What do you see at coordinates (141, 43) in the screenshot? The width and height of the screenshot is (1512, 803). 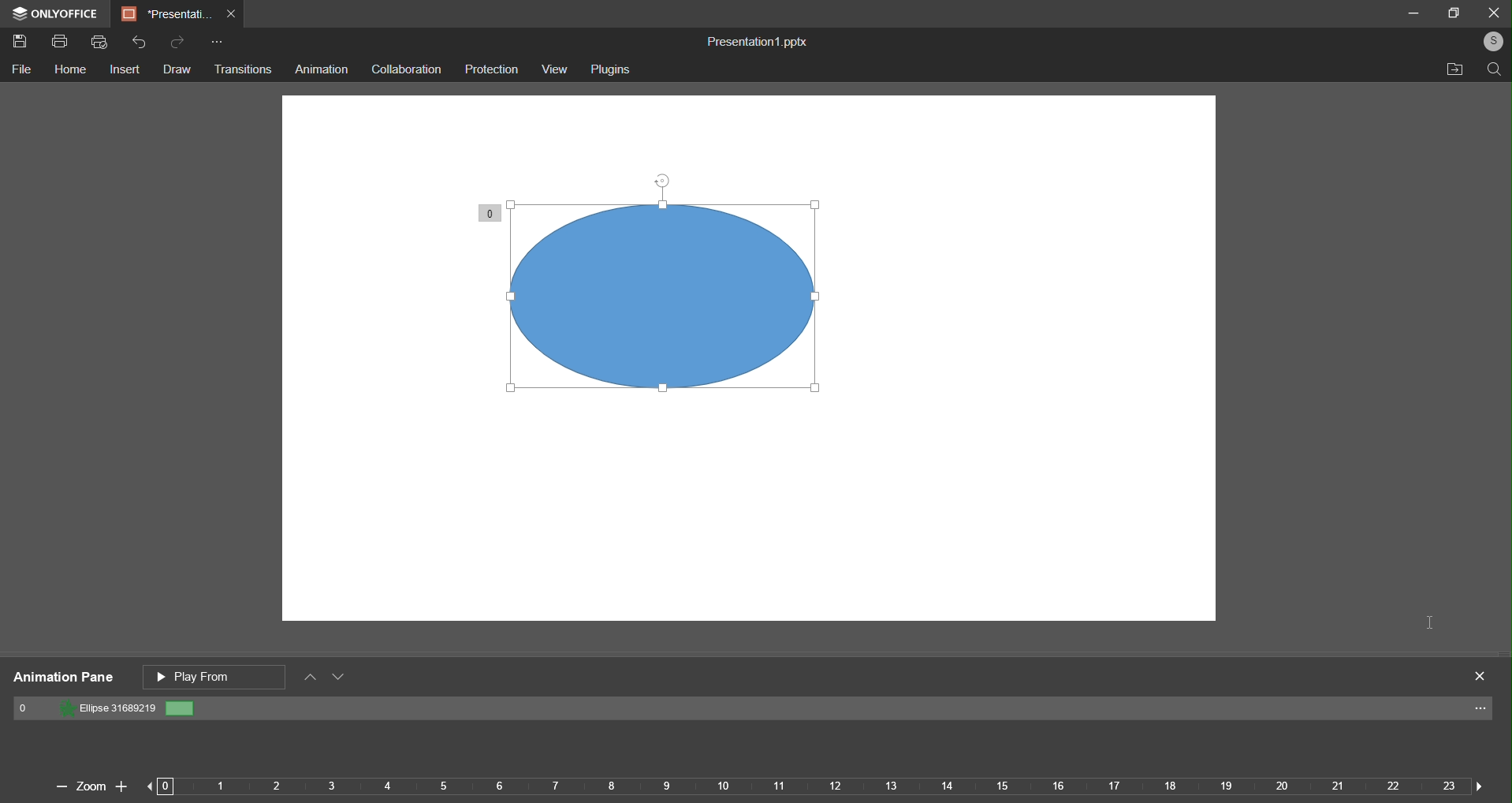 I see `Undo` at bounding box center [141, 43].